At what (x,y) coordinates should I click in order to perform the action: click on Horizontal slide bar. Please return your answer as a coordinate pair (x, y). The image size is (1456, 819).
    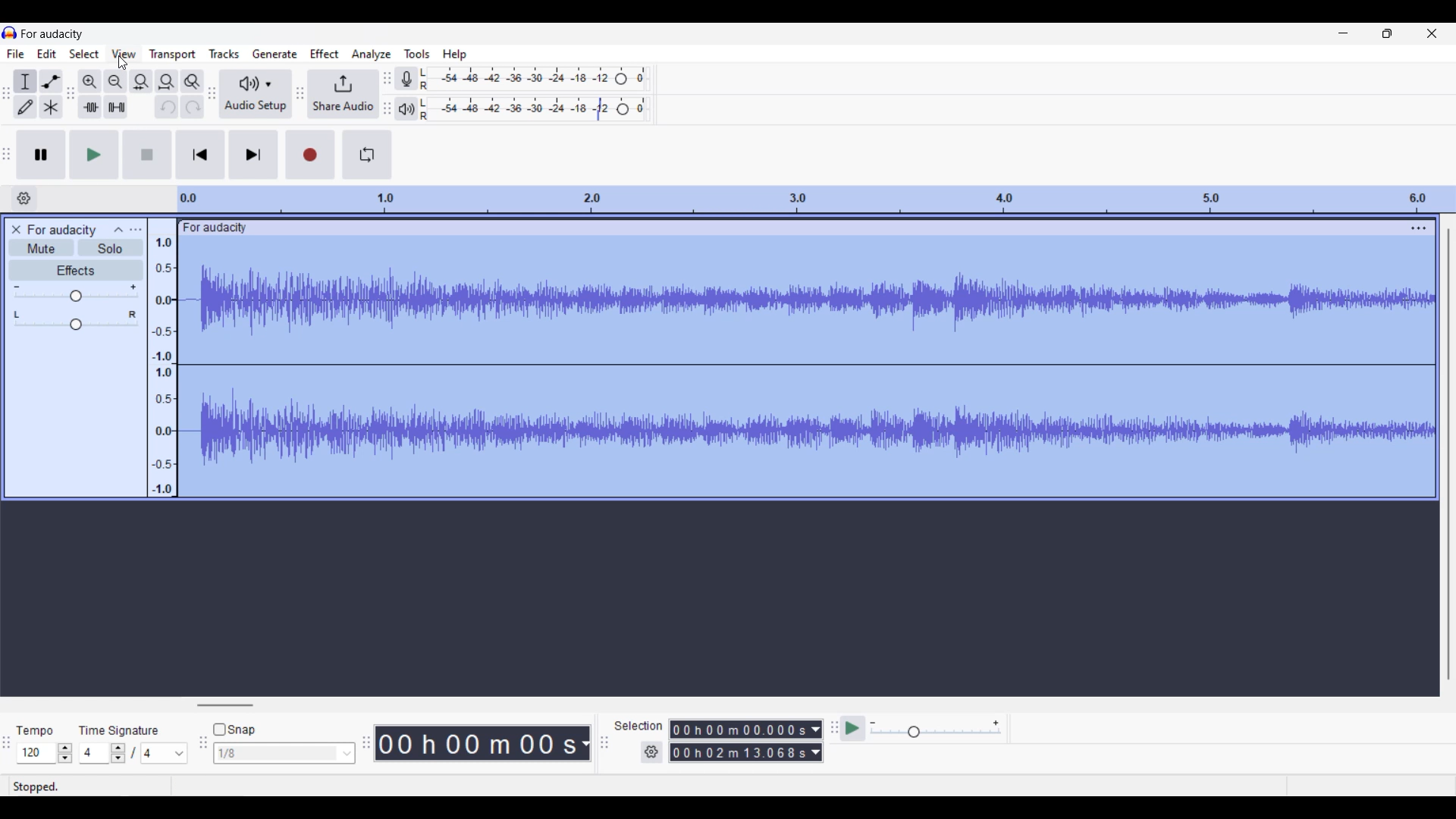
    Looking at the image, I should click on (225, 705).